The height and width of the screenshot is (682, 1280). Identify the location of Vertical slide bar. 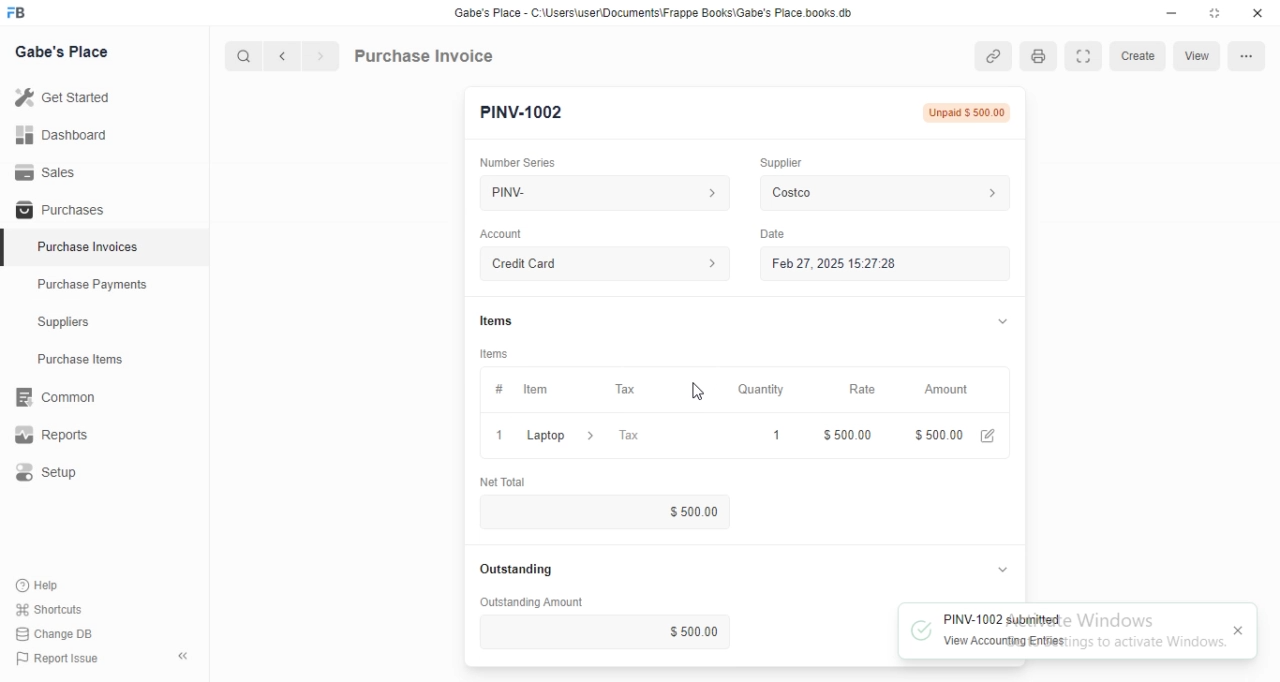
(1022, 365).